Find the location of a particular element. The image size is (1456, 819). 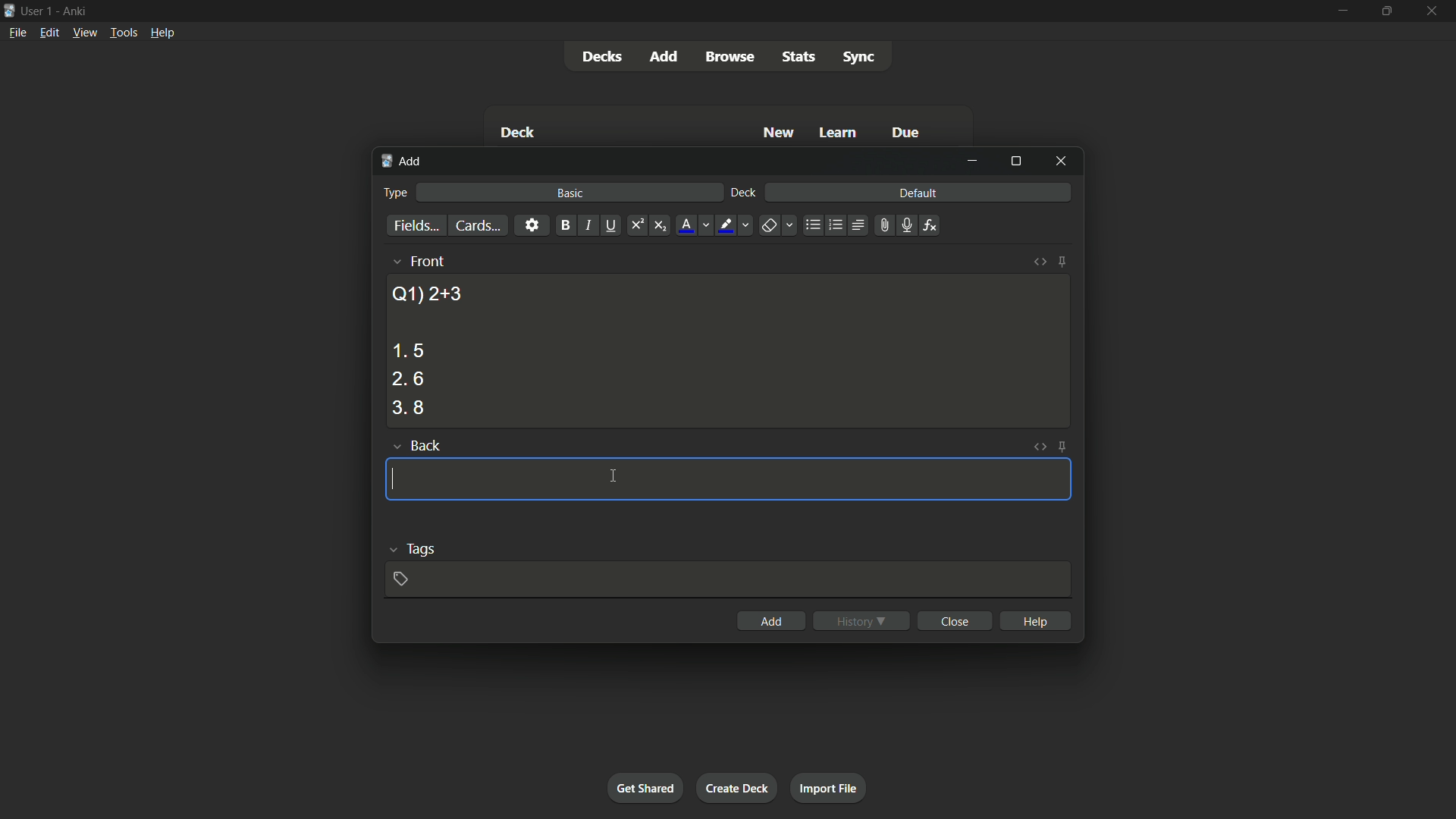

tags is located at coordinates (422, 548).